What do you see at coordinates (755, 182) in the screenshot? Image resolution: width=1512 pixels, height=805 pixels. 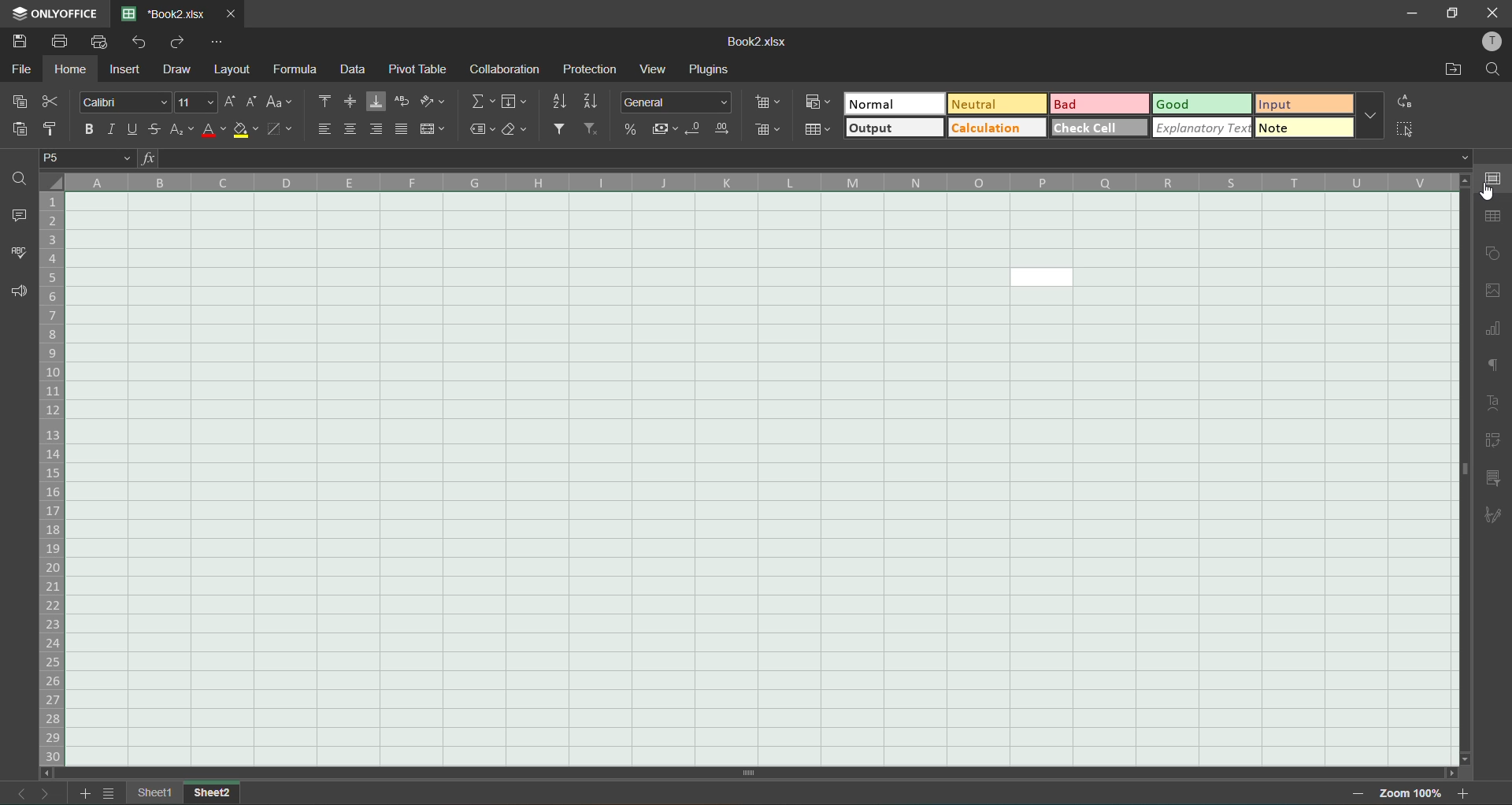 I see `column names` at bounding box center [755, 182].